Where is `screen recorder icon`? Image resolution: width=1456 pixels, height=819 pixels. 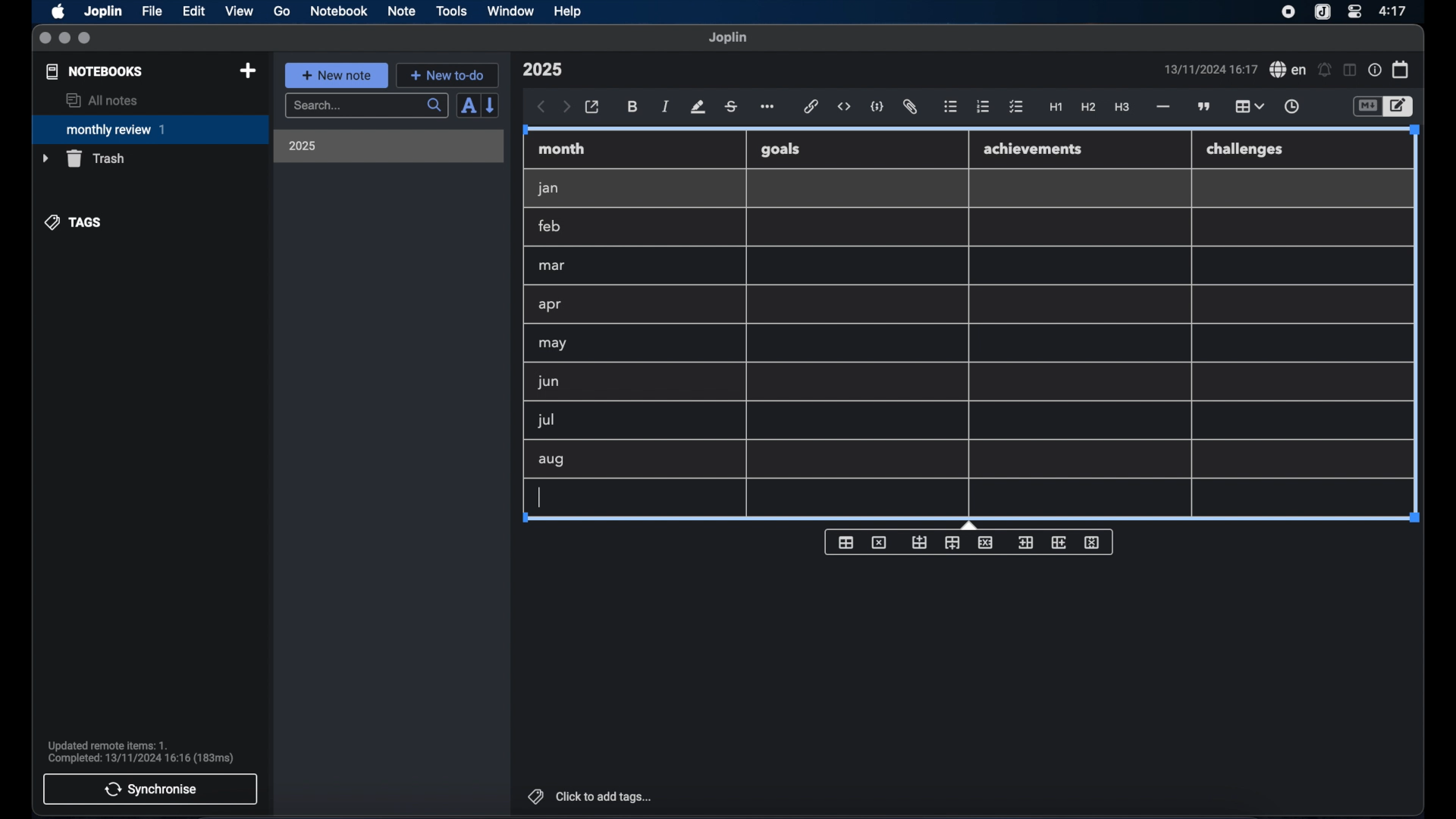
screen recorder icon is located at coordinates (1288, 12).